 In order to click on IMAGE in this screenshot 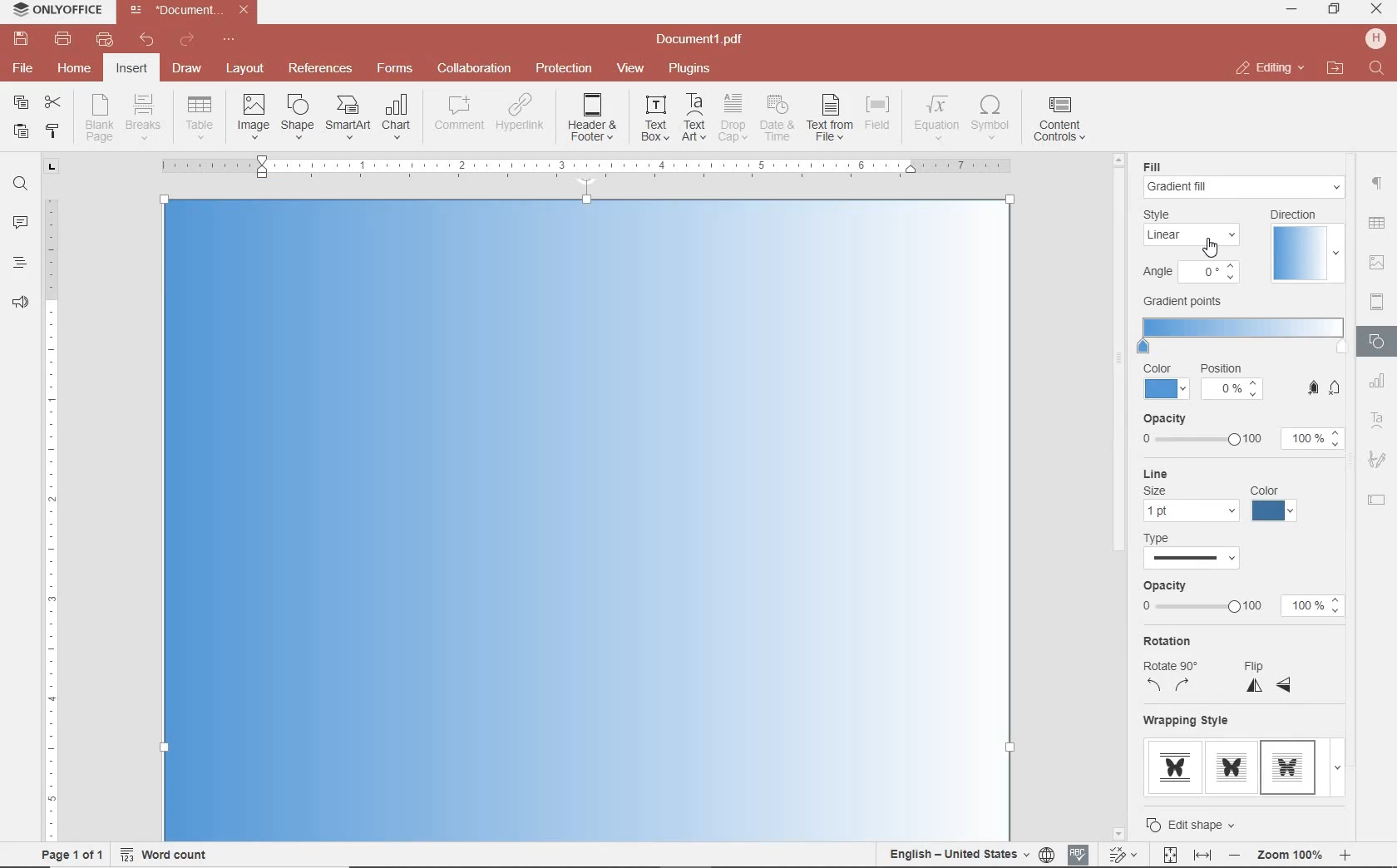, I will do `click(1378, 264)`.